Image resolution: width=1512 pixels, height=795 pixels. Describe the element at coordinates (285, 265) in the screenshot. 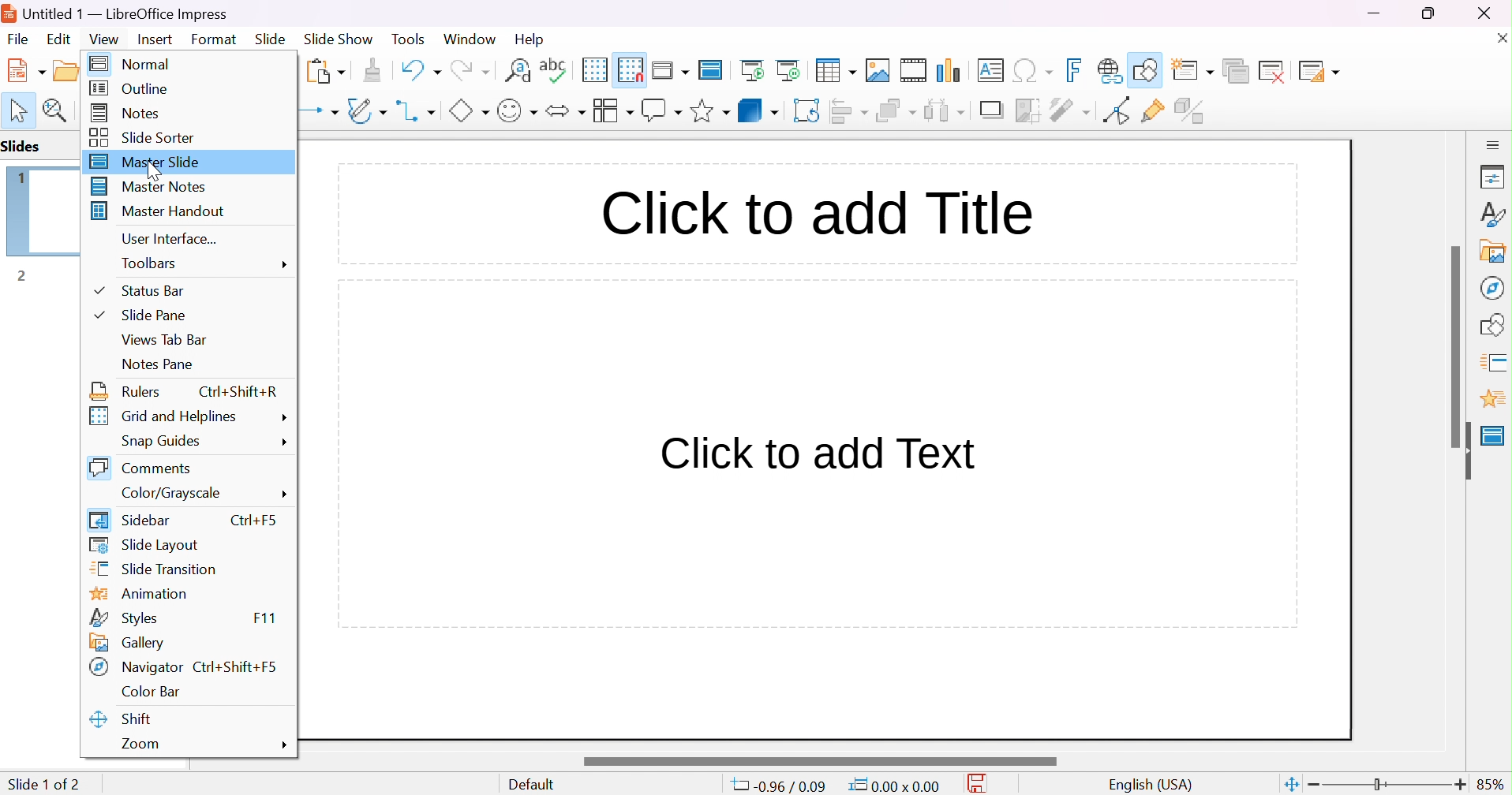

I see `more` at that location.